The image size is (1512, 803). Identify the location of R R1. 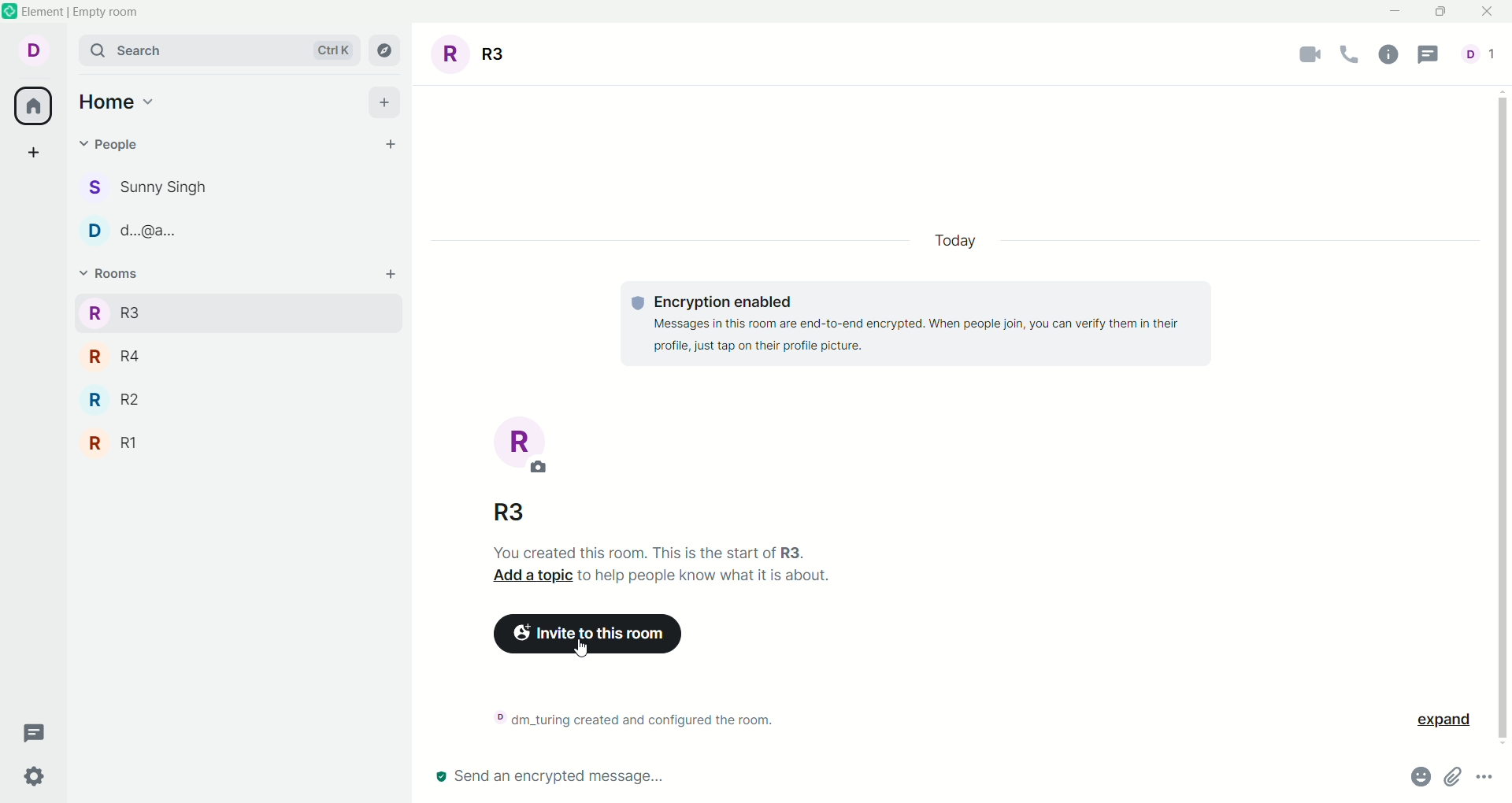
(113, 442).